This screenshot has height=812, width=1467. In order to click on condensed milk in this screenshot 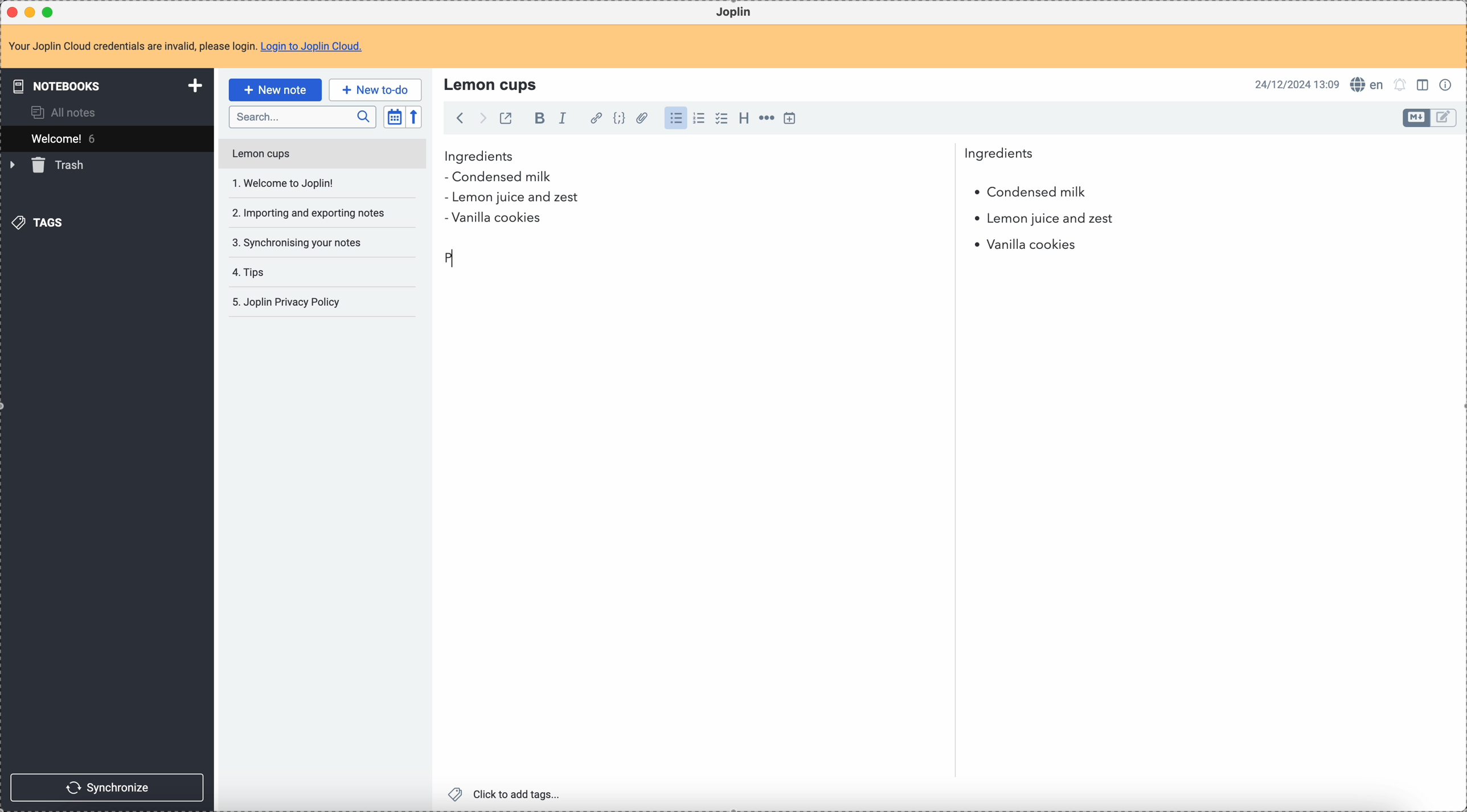, I will do `click(502, 178)`.